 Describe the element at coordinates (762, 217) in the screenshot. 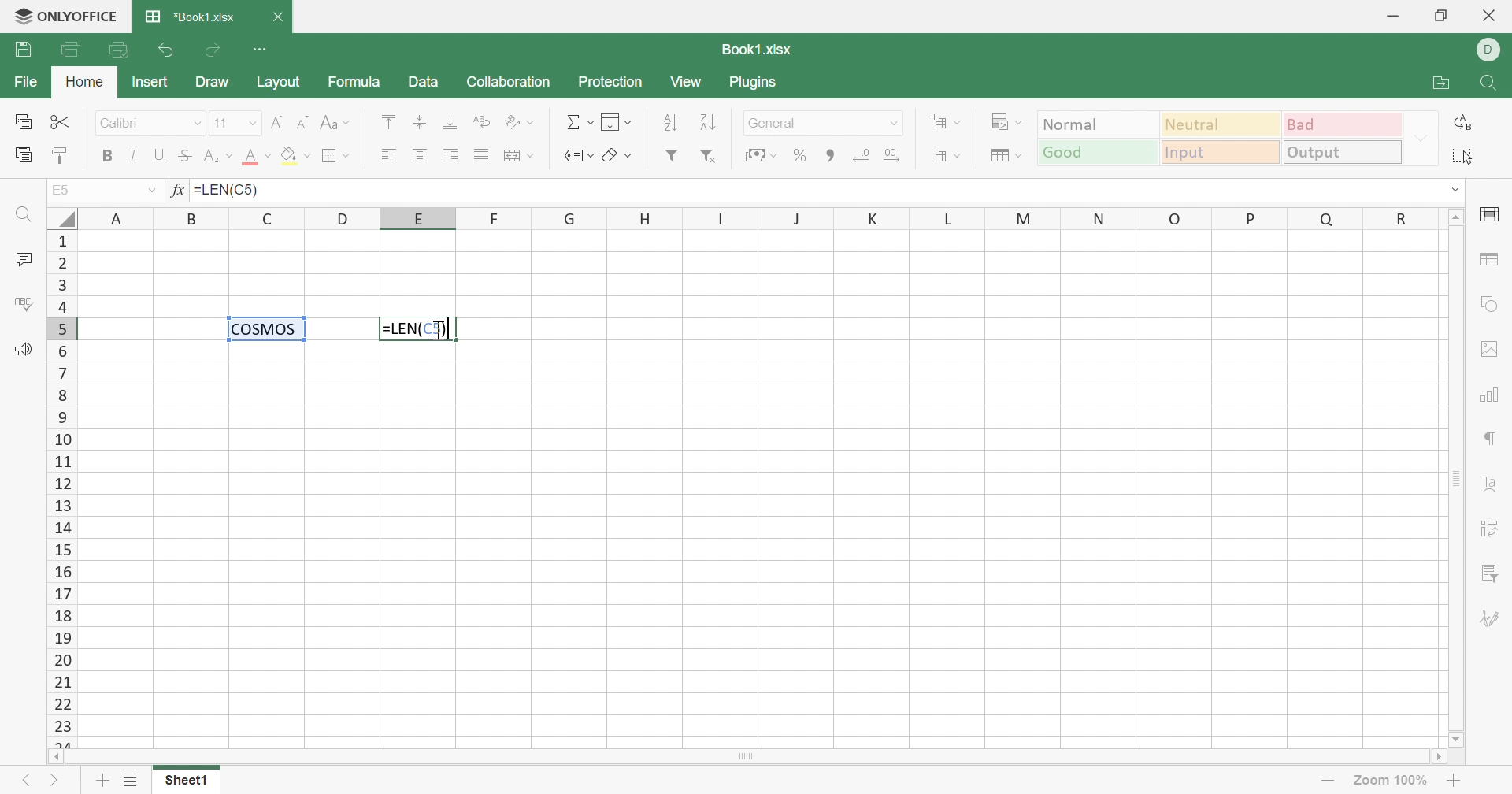

I see `Column Names` at that location.